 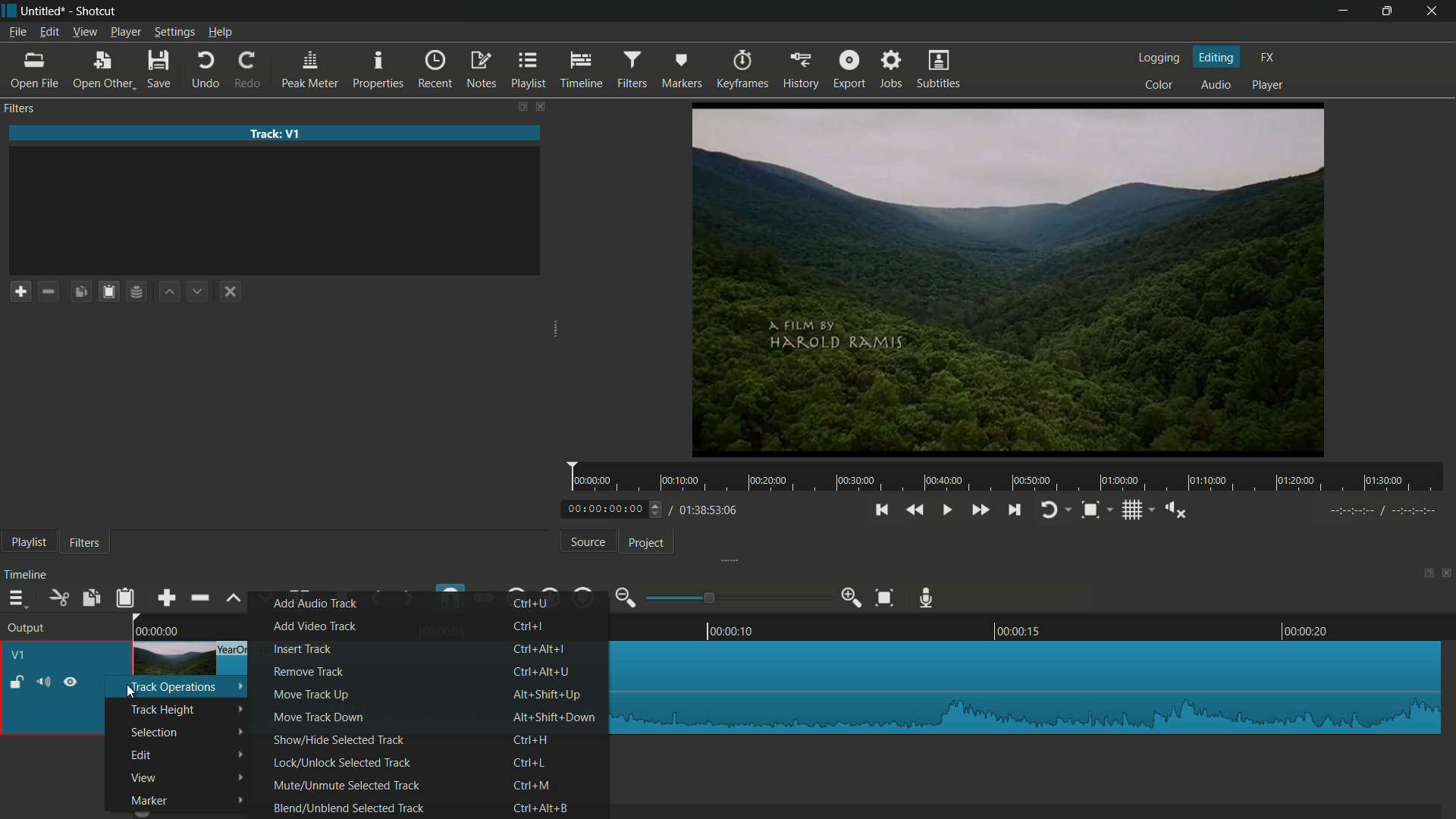 I want to click on app name, so click(x=98, y=11).